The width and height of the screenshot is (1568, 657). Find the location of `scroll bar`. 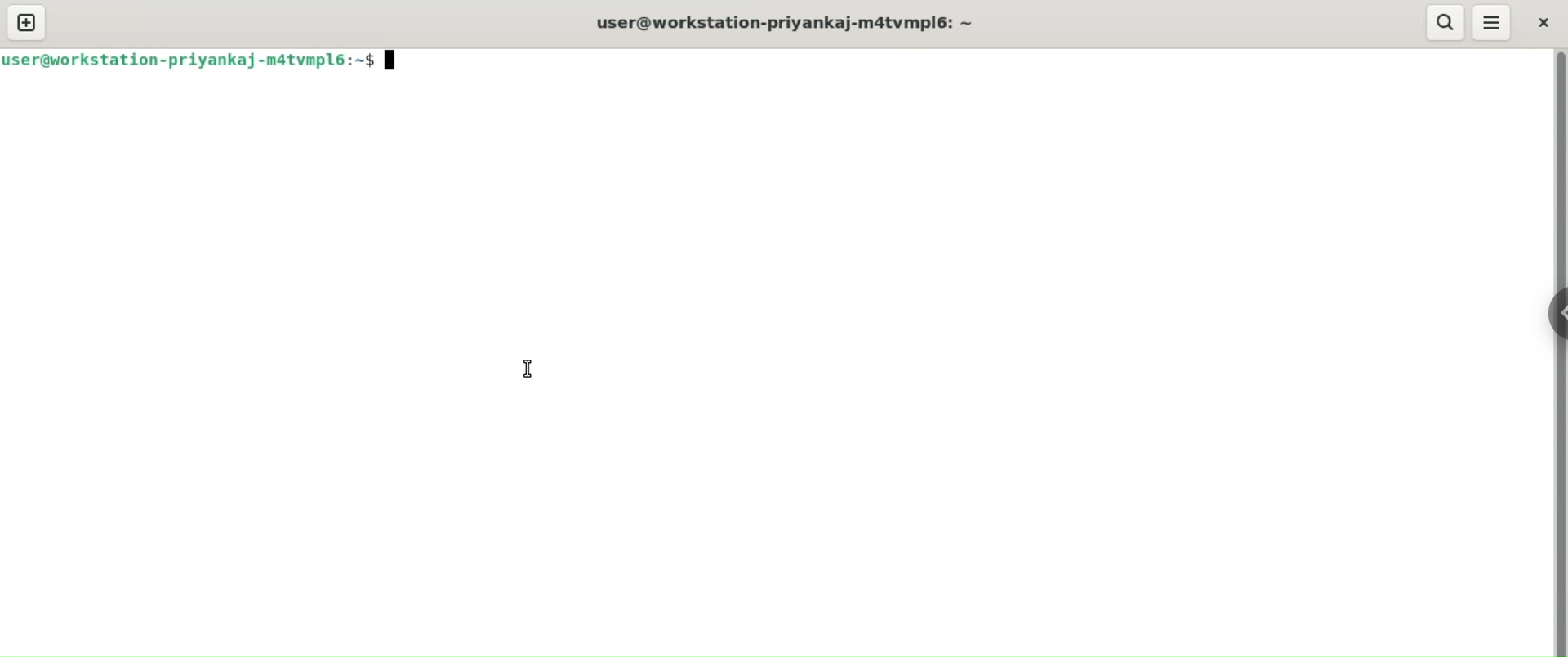

scroll bar is located at coordinates (1558, 353).